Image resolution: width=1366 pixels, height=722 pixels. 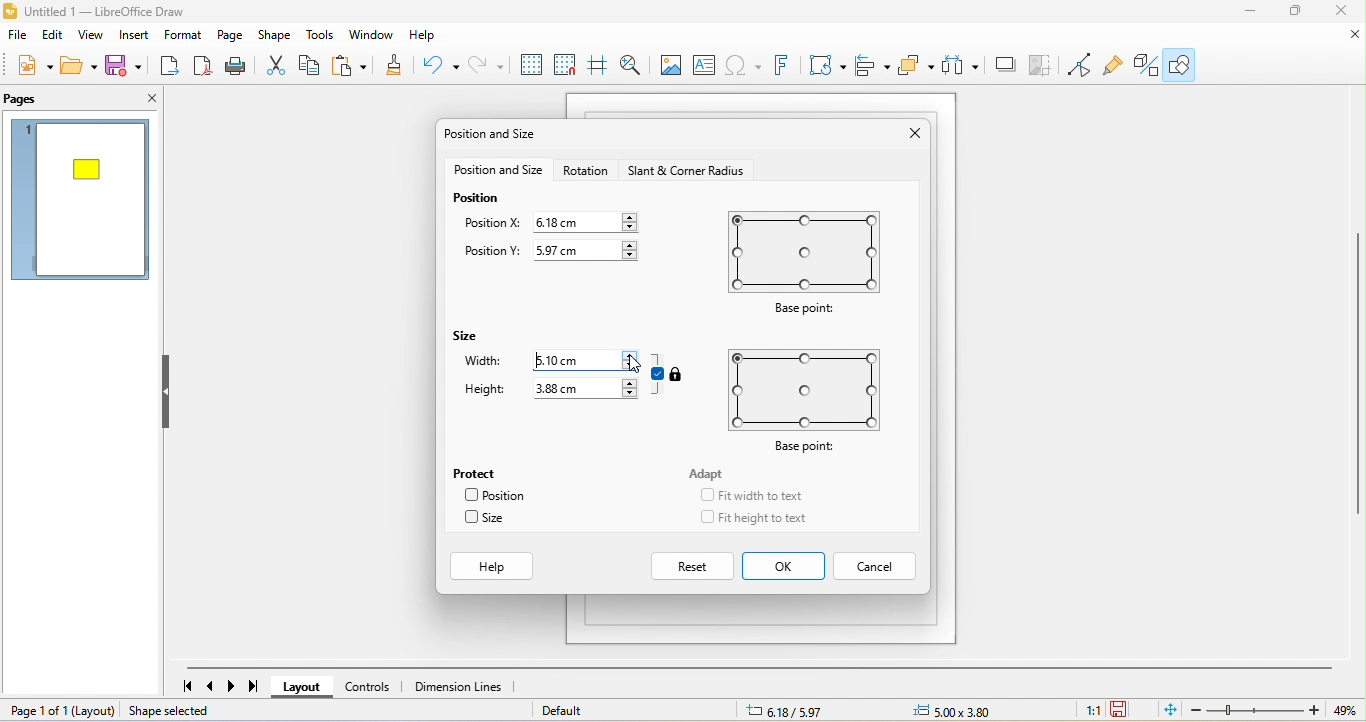 What do you see at coordinates (787, 67) in the screenshot?
I see `fontwork text` at bounding box center [787, 67].